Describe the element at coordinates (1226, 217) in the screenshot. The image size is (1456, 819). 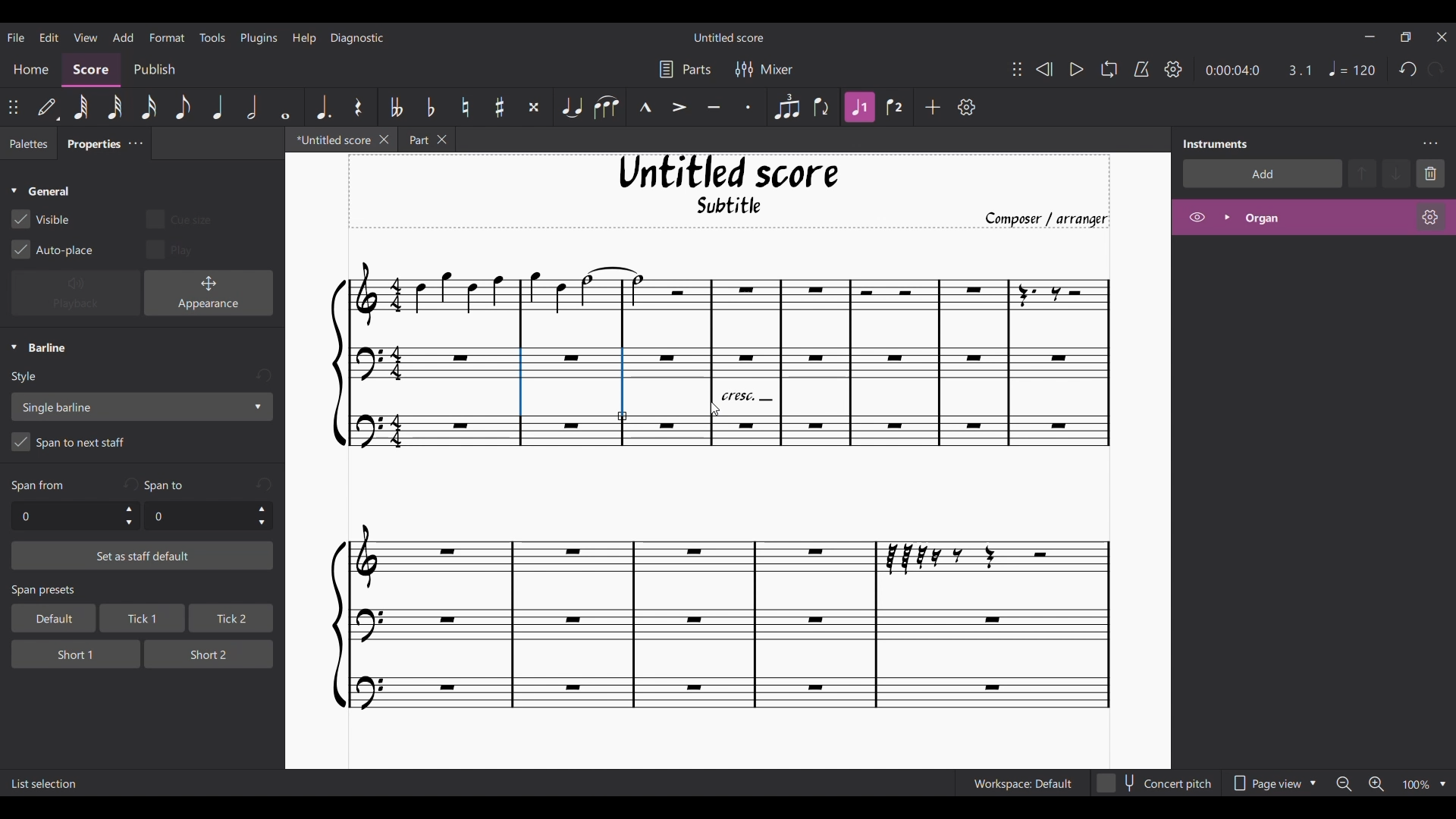
I see `Expand Organ` at that location.